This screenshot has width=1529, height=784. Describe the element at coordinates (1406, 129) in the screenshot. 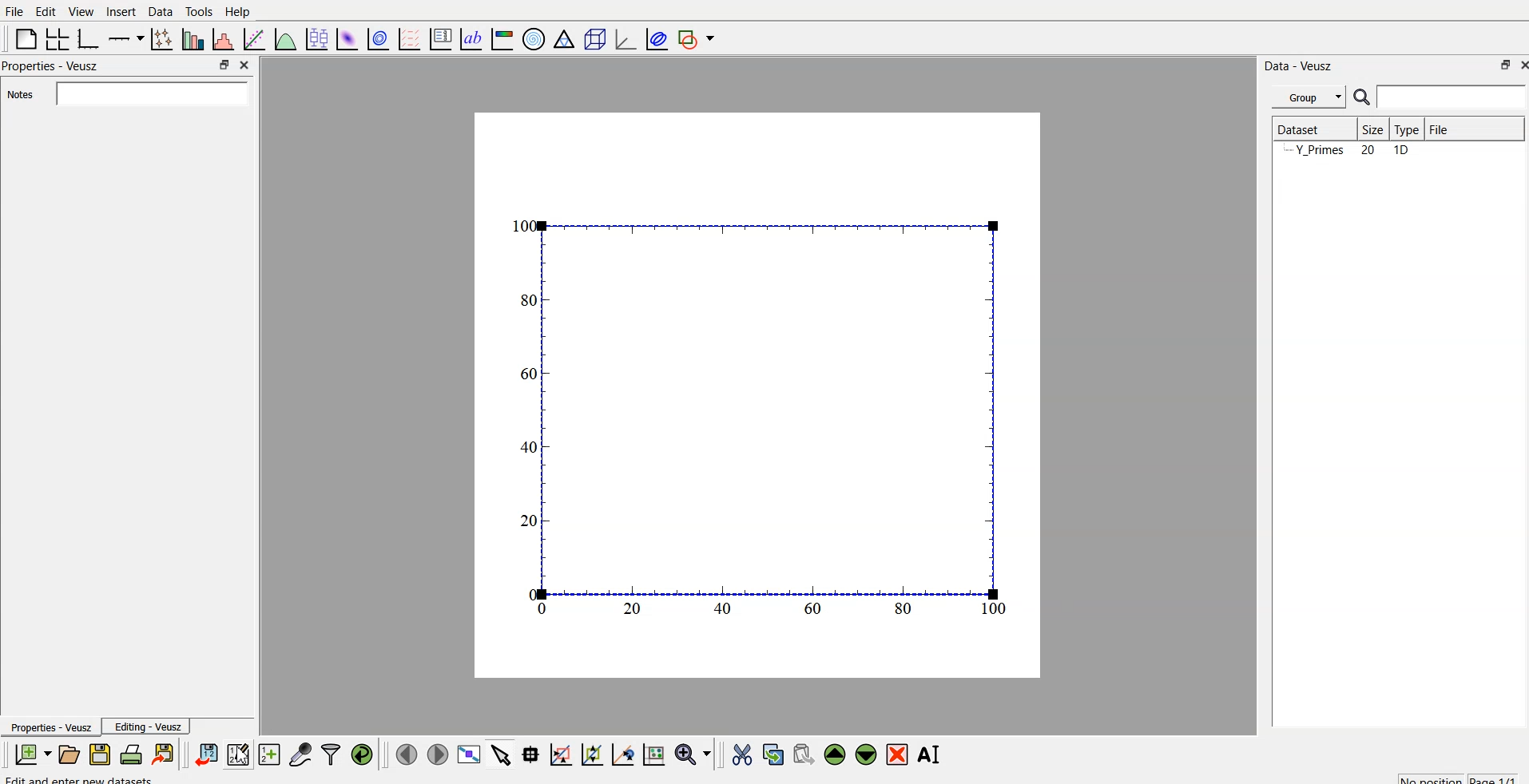

I see `Type` at that location.